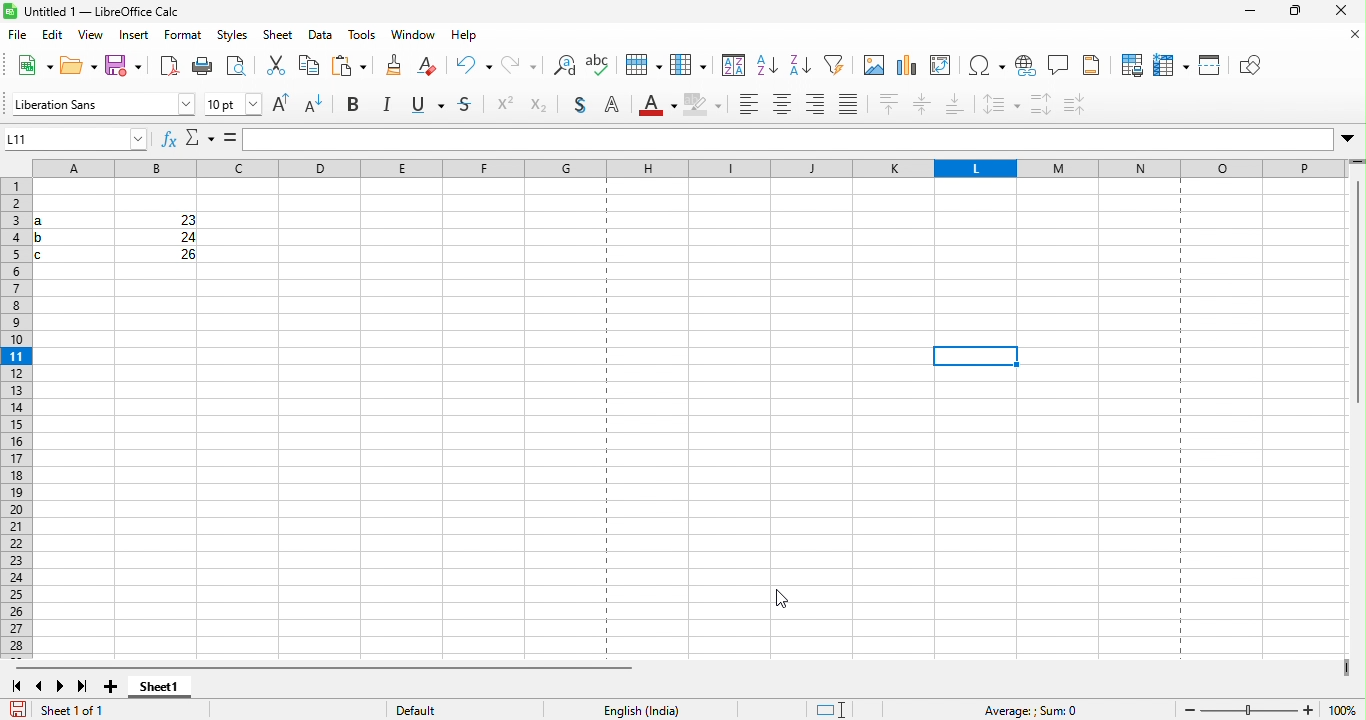 This screenshot has width=1366, height=720. What do you see at coordinates (229, 141) in the screenshot?
I see `formula` at bounding box center [229, 141].